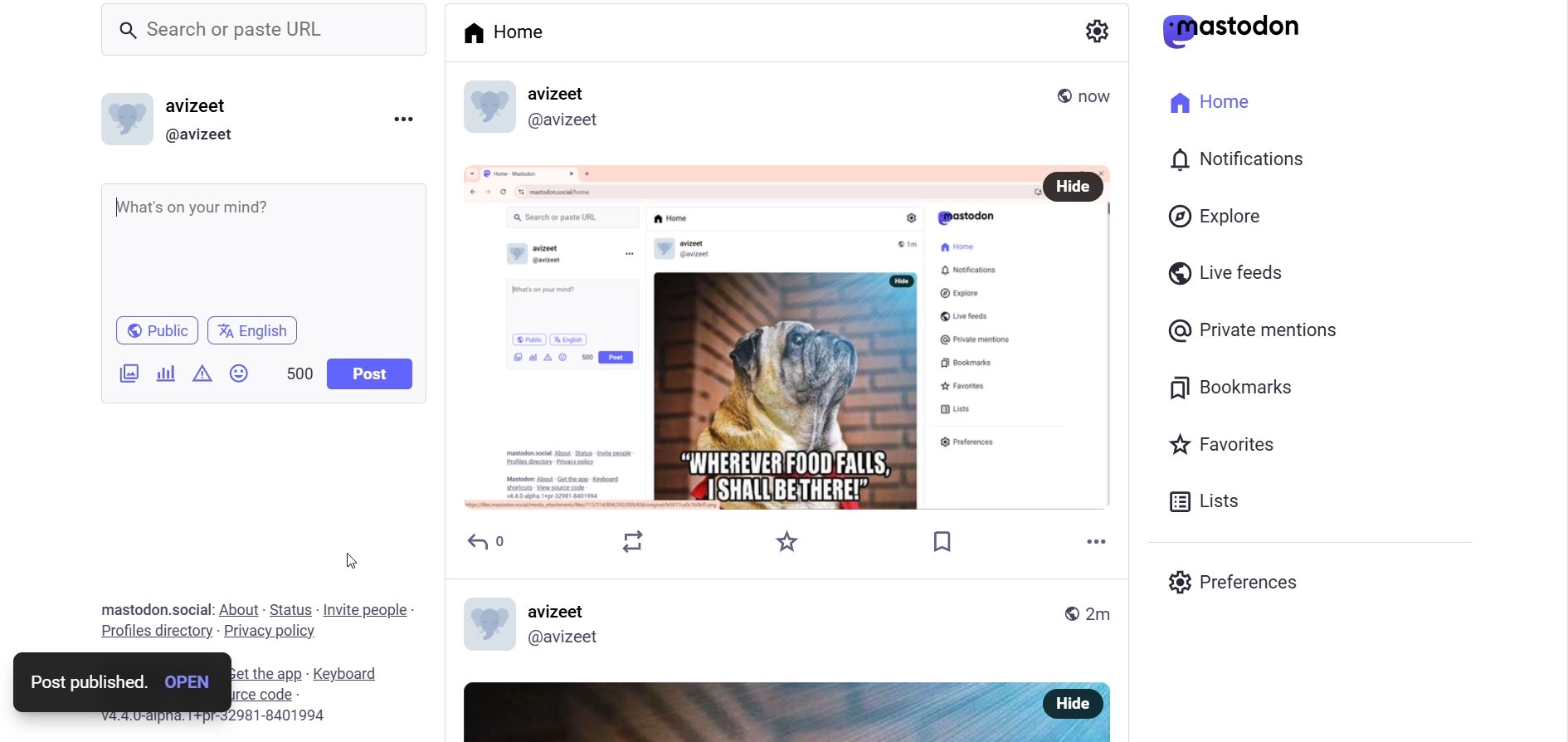 This screenshot has height=742, width=1568. I want to click on public, so click(153, 330).